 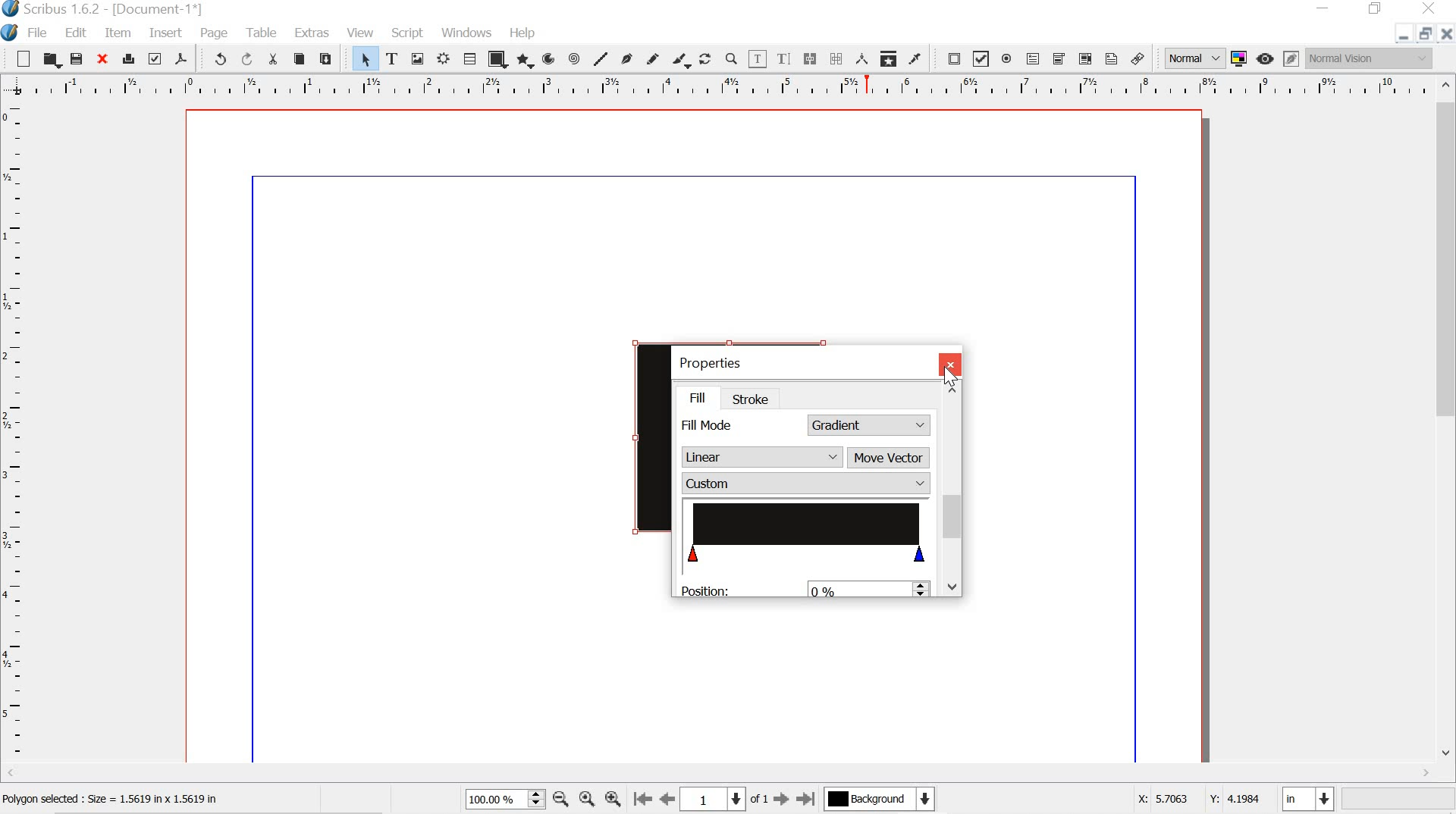 What do you see at coordinates (806, 800) in the screenshot?
I see `go to last page` at bounding box center [806, 800].